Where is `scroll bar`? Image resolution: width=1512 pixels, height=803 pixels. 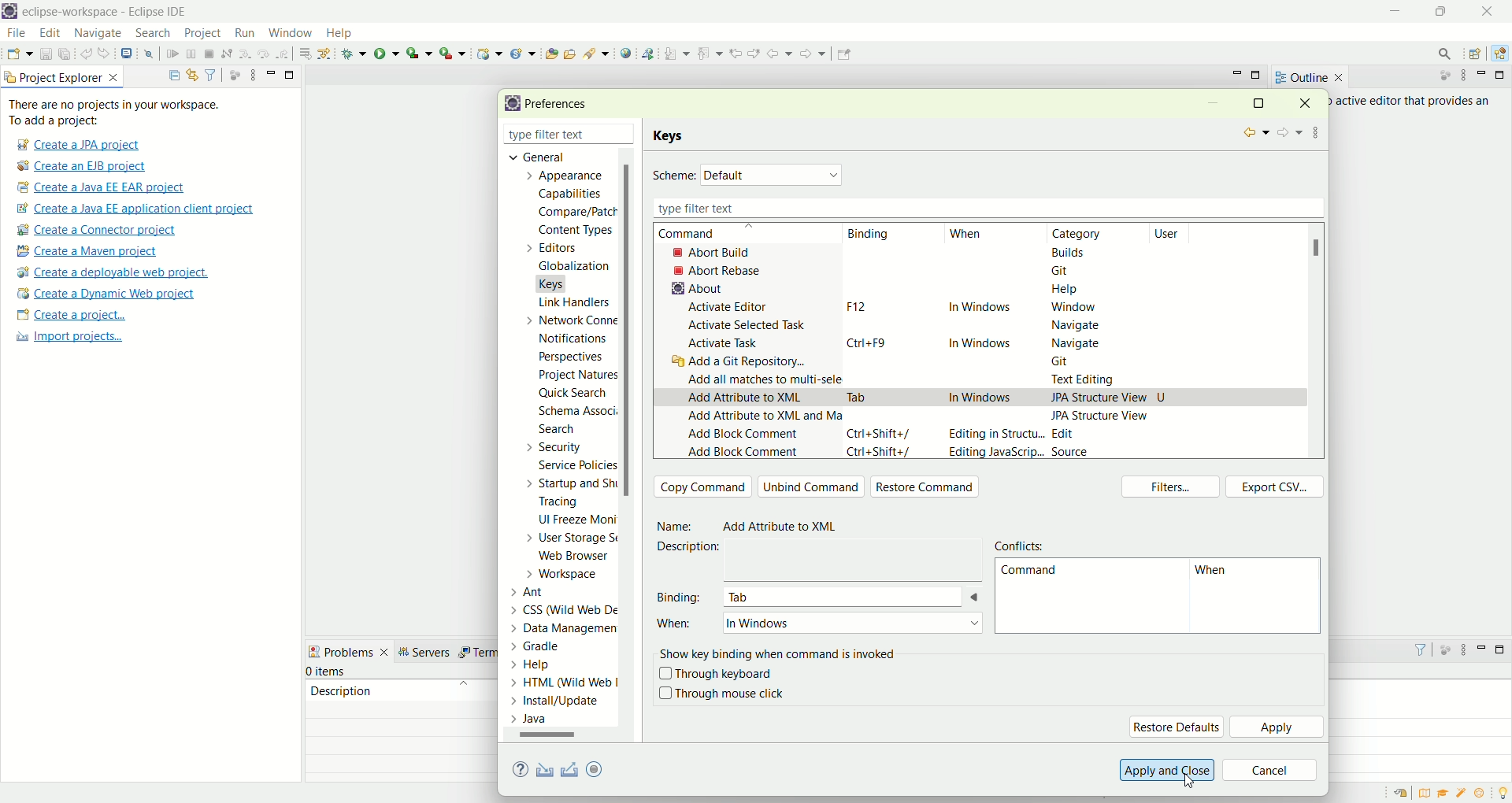
scroll bar is located at coordinates (554, 738).